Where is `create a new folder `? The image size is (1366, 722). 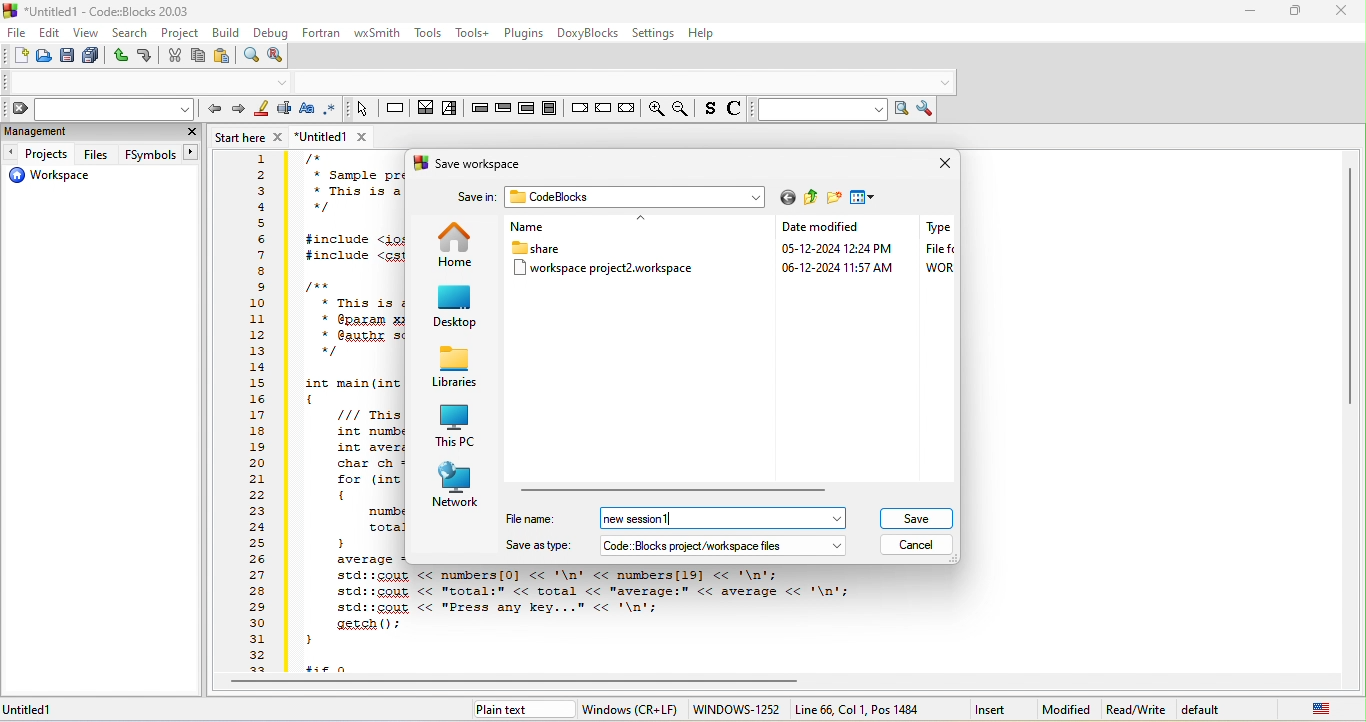
create a new folder  is located at coordinates (835, 199).